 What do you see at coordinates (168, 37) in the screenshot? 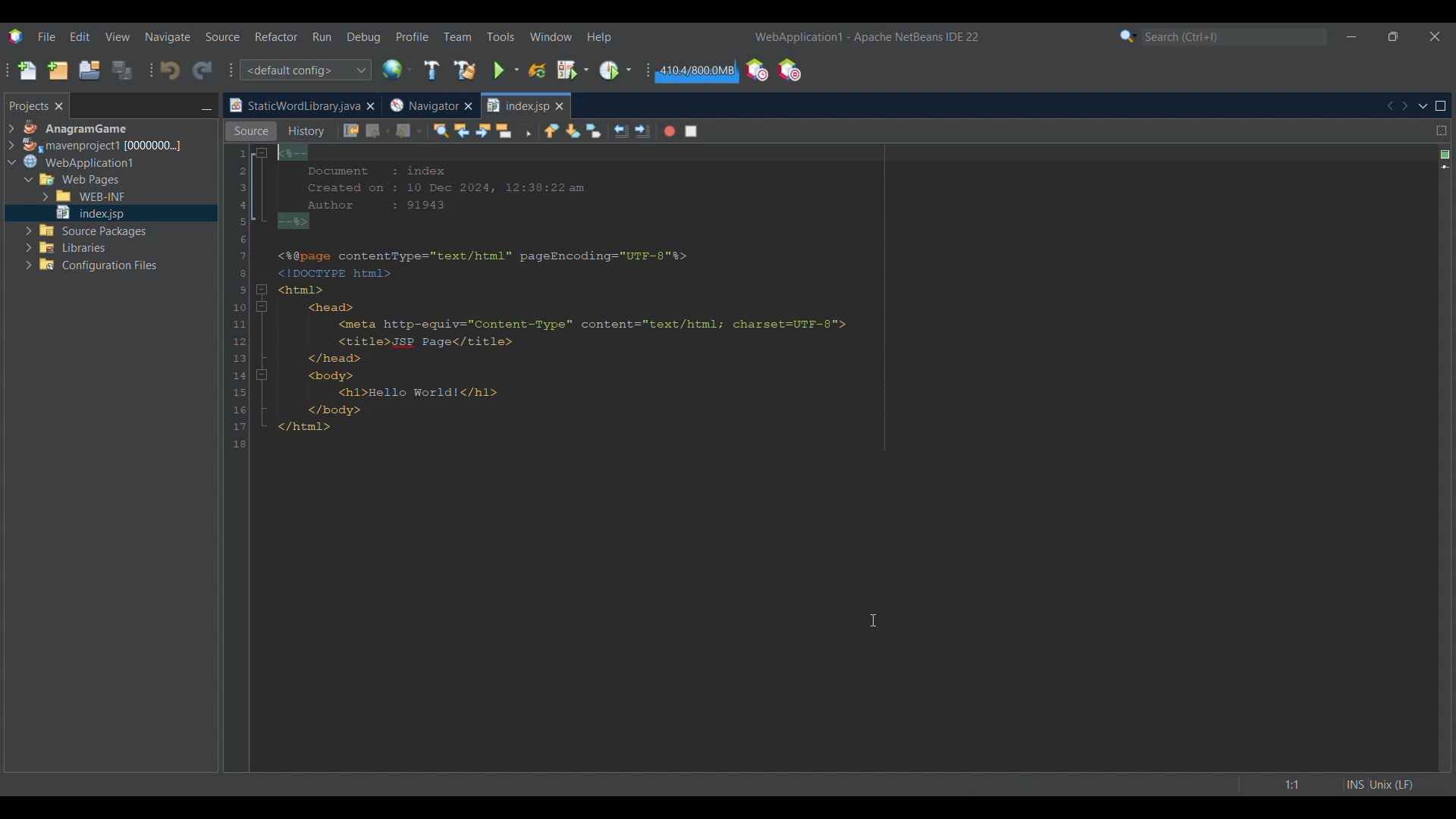
I see `Naviagate menu` at bounding box center [168, 37].